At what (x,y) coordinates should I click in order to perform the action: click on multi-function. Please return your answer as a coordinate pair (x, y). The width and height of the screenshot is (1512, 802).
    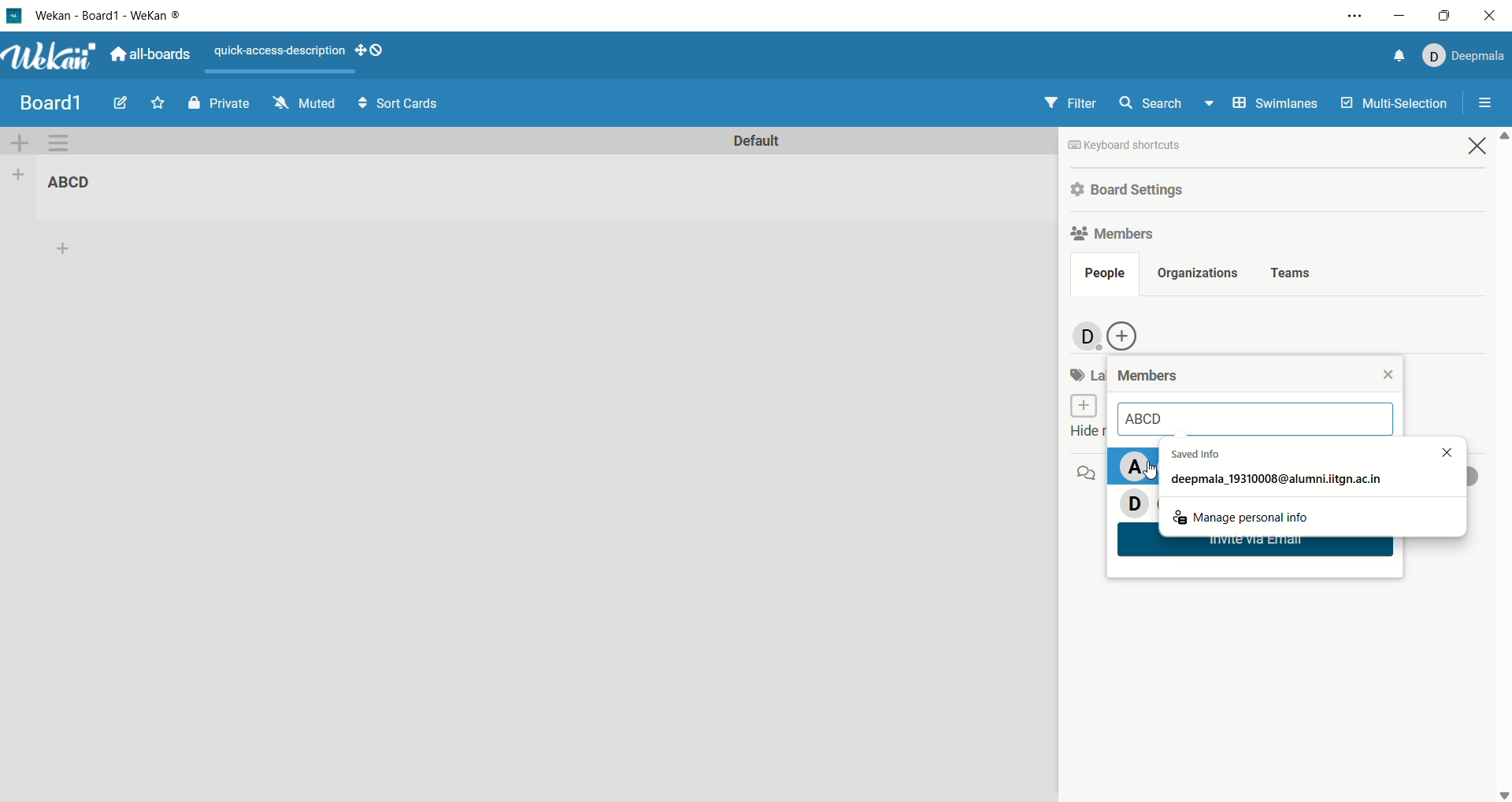
    Looking at the image, I should click on (1392, 107).